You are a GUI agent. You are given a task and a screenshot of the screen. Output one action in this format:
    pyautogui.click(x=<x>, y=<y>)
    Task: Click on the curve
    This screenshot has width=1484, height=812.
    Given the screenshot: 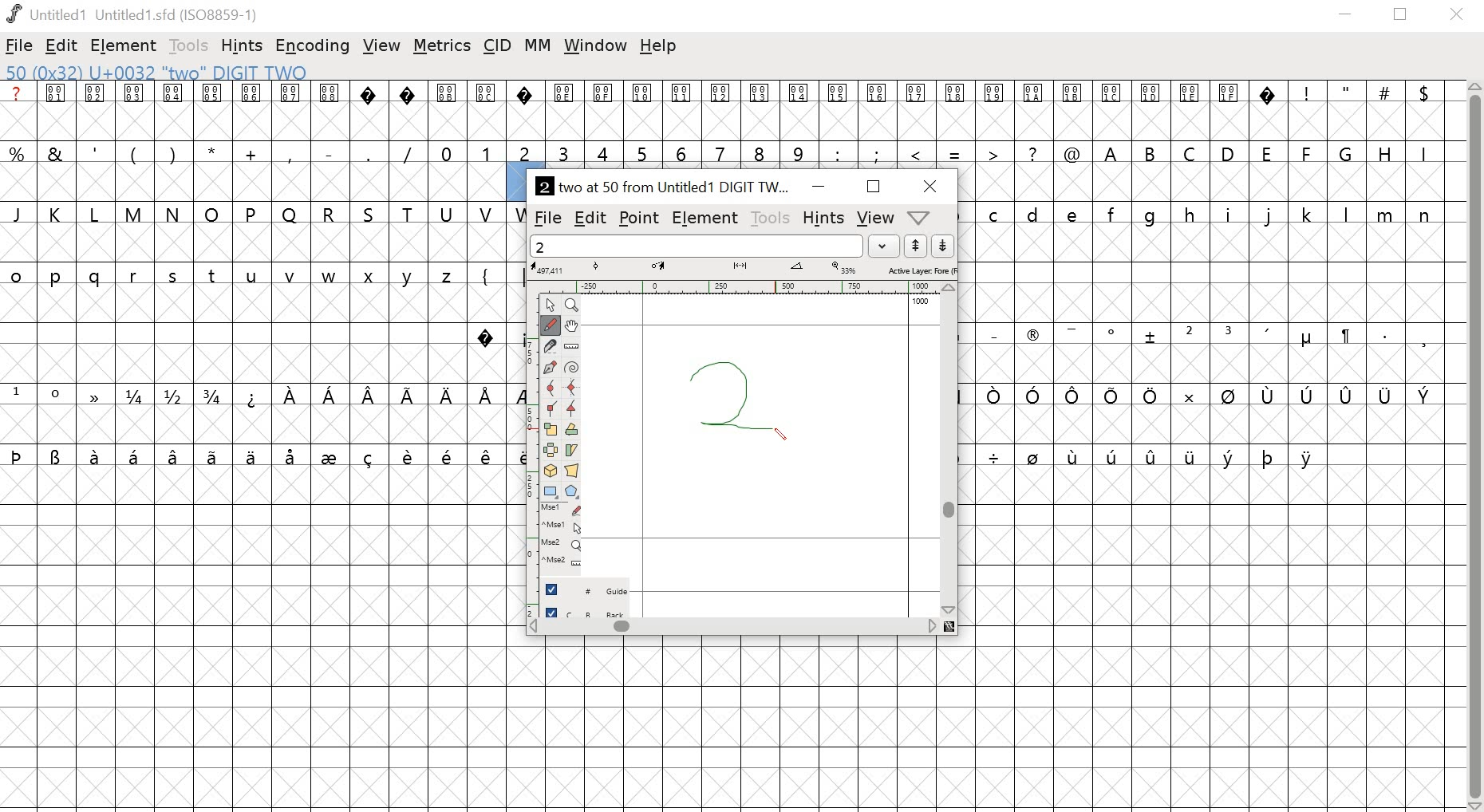 What is the action you would take?
    pyautogui.click(x=552, y=388)
    